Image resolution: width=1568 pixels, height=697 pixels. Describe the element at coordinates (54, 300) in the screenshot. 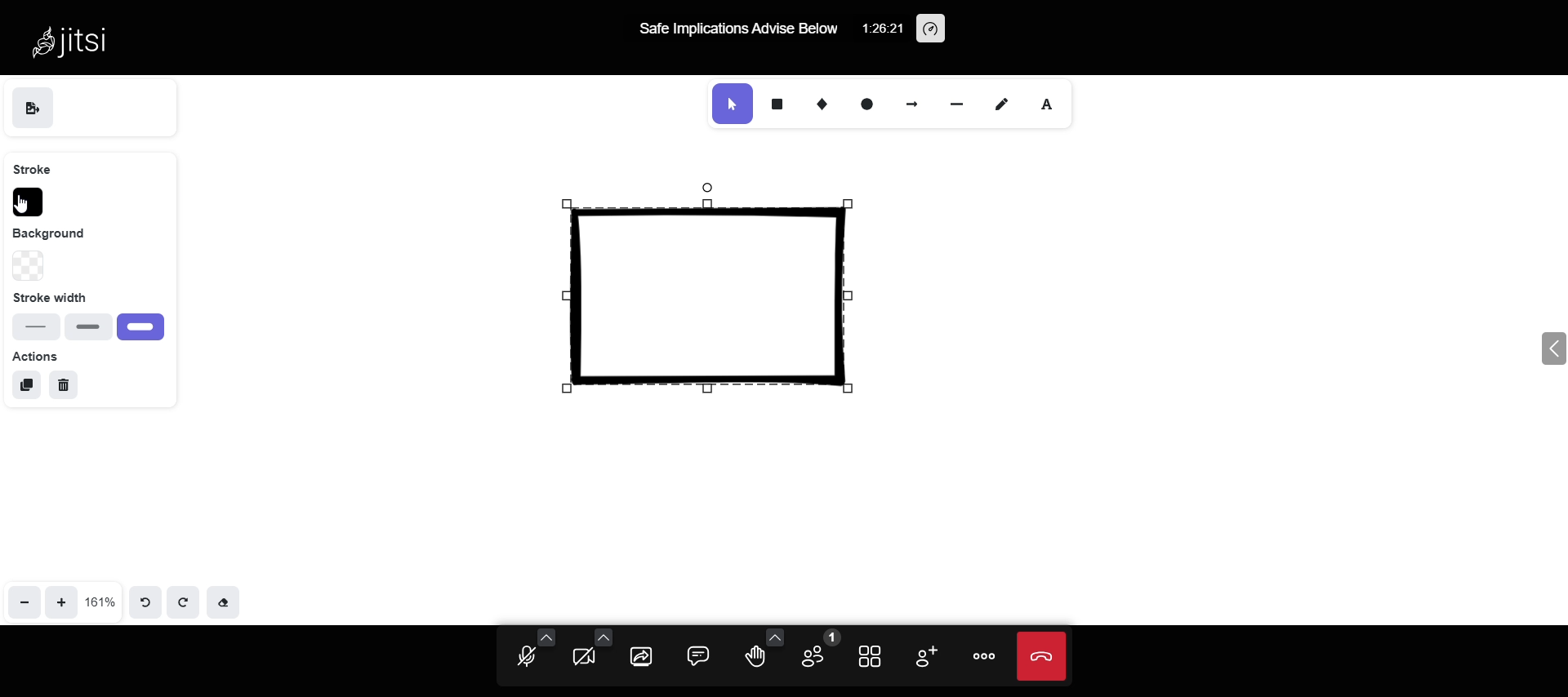

I see `Stroke width` at that location.